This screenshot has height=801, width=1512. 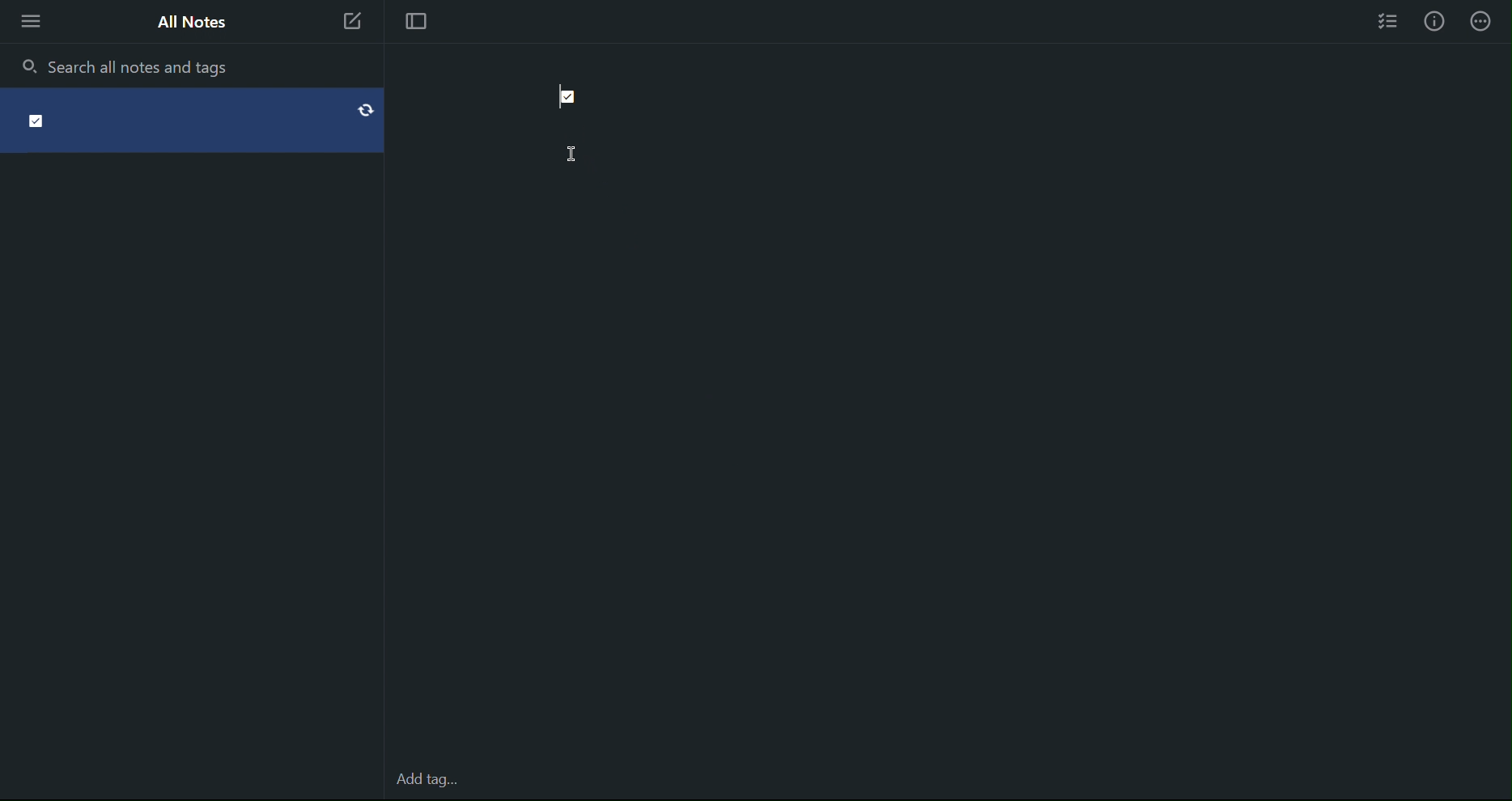 What do you see at coordinates (188, 19) in the screenshot?
I see `All Notes` at bounding box center [188, 19].